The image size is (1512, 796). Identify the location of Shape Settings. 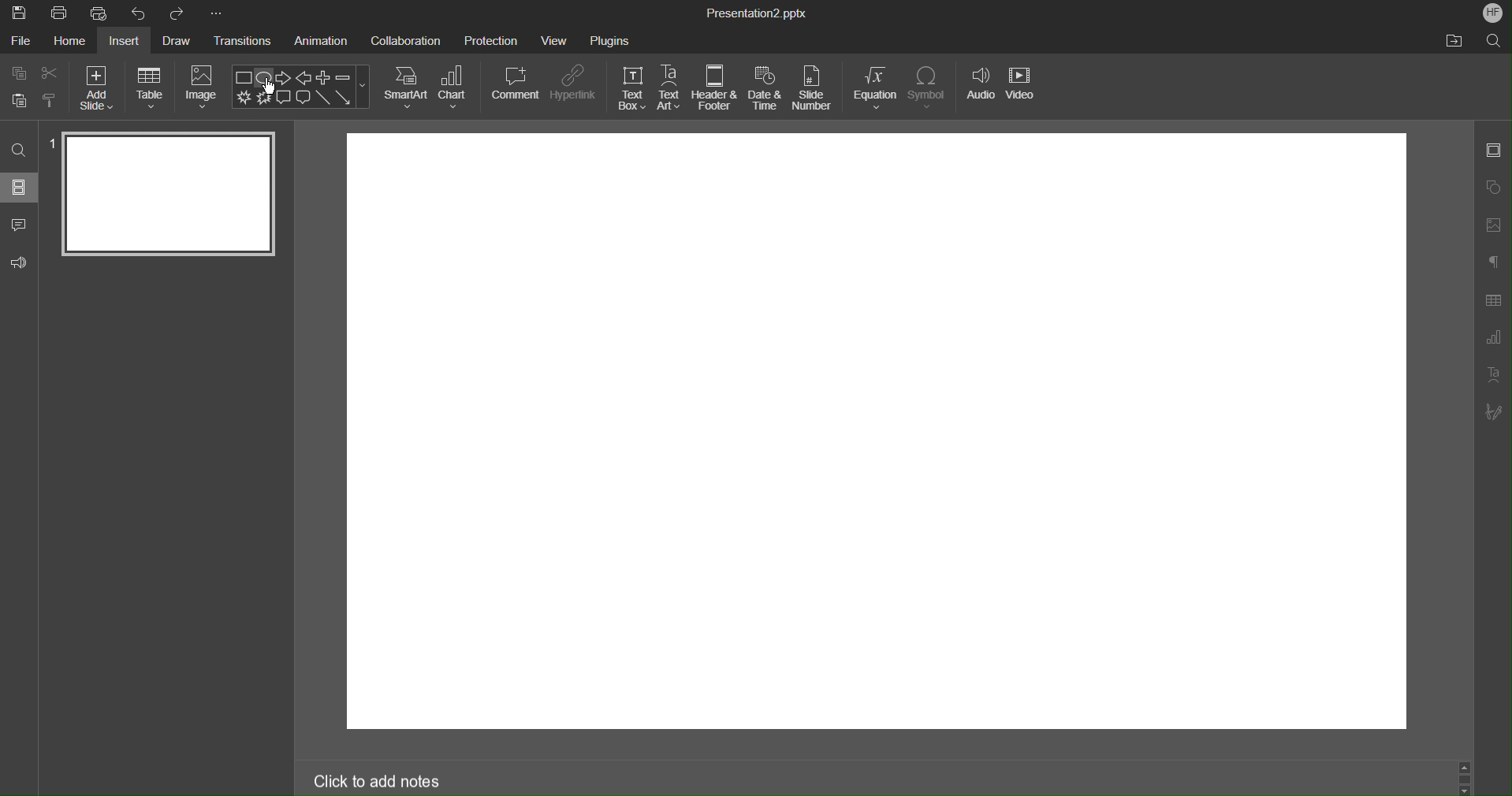
(1495, 186).